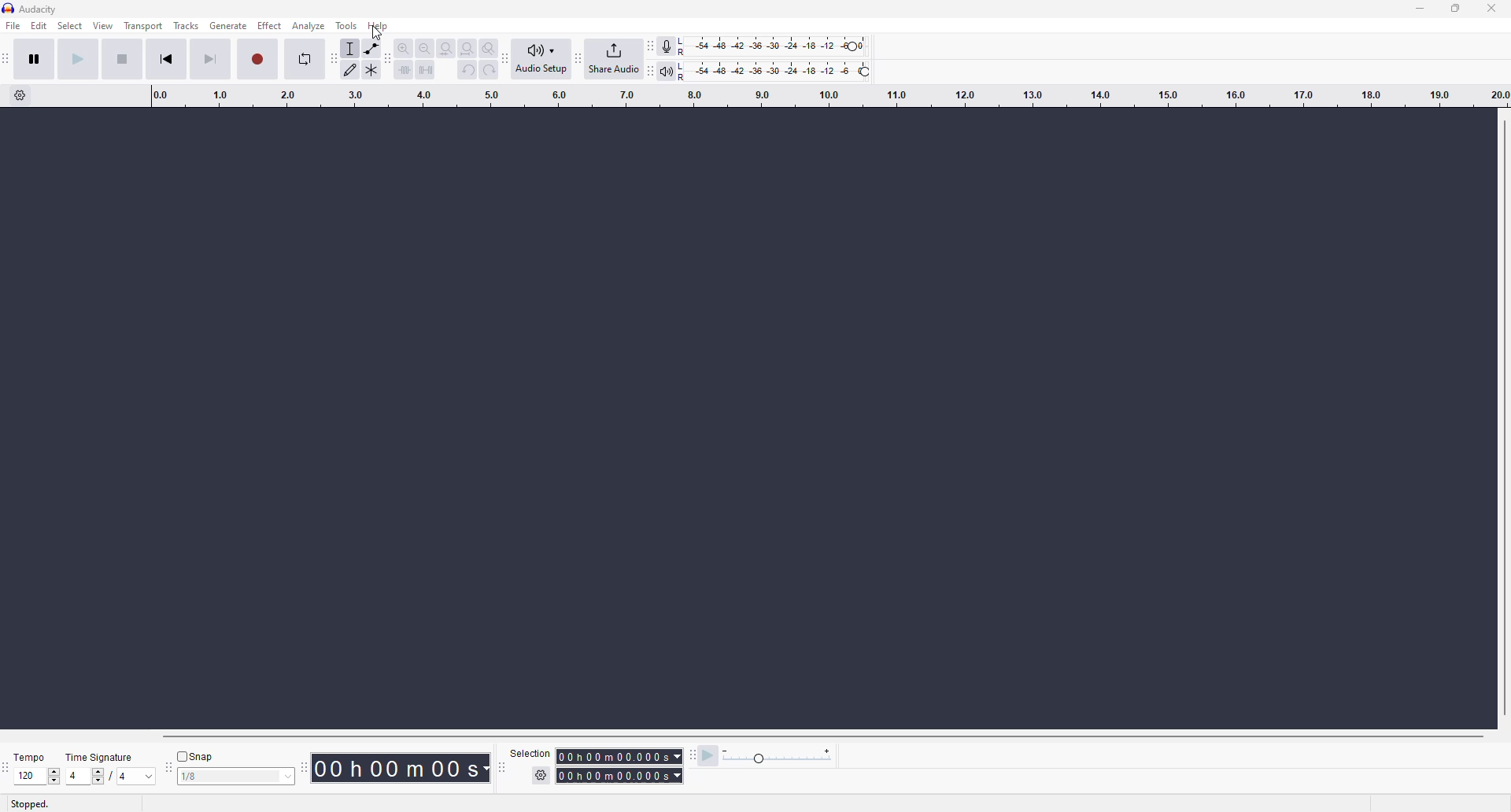 The height and width of the screenshot is (812, 1511). What do you see at coordinates (305, 62) in the screenshot?
I see `enable looping` at bounding box center [305, 62].